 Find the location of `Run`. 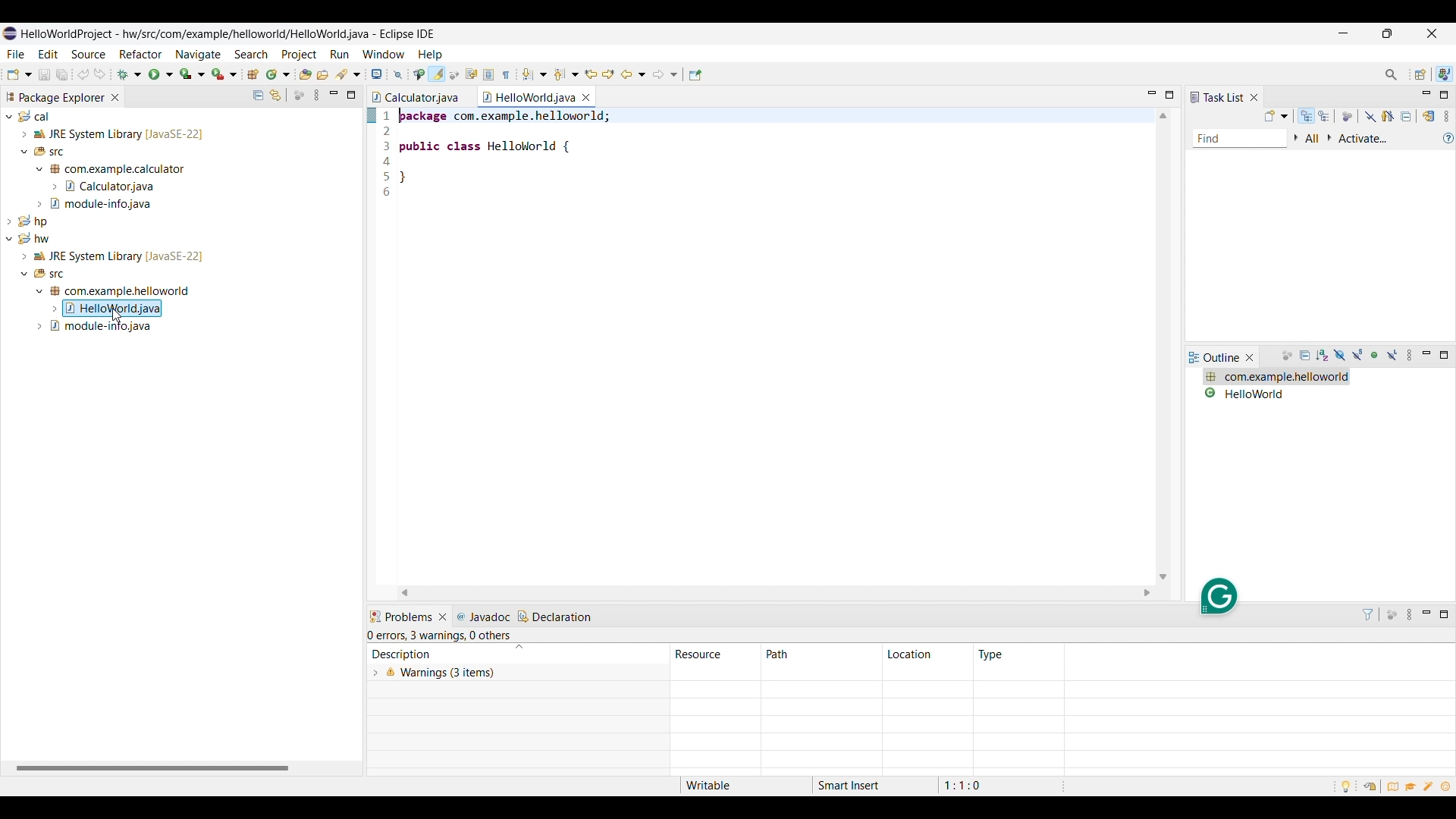

Run is located at coordinates (339, 54).